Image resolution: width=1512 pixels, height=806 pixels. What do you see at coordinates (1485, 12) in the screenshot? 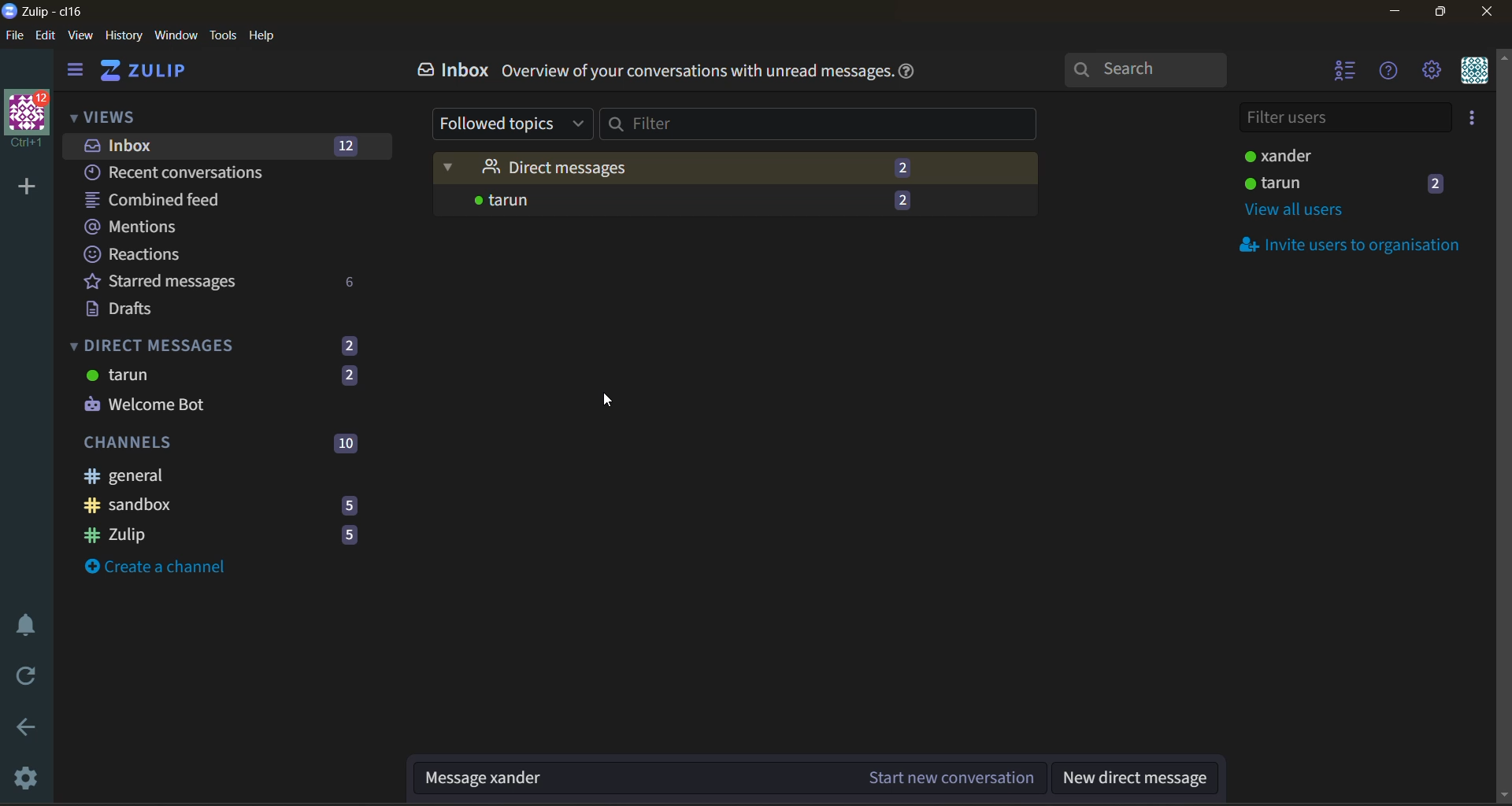
I see `close` at bounding box center [1485, 12].